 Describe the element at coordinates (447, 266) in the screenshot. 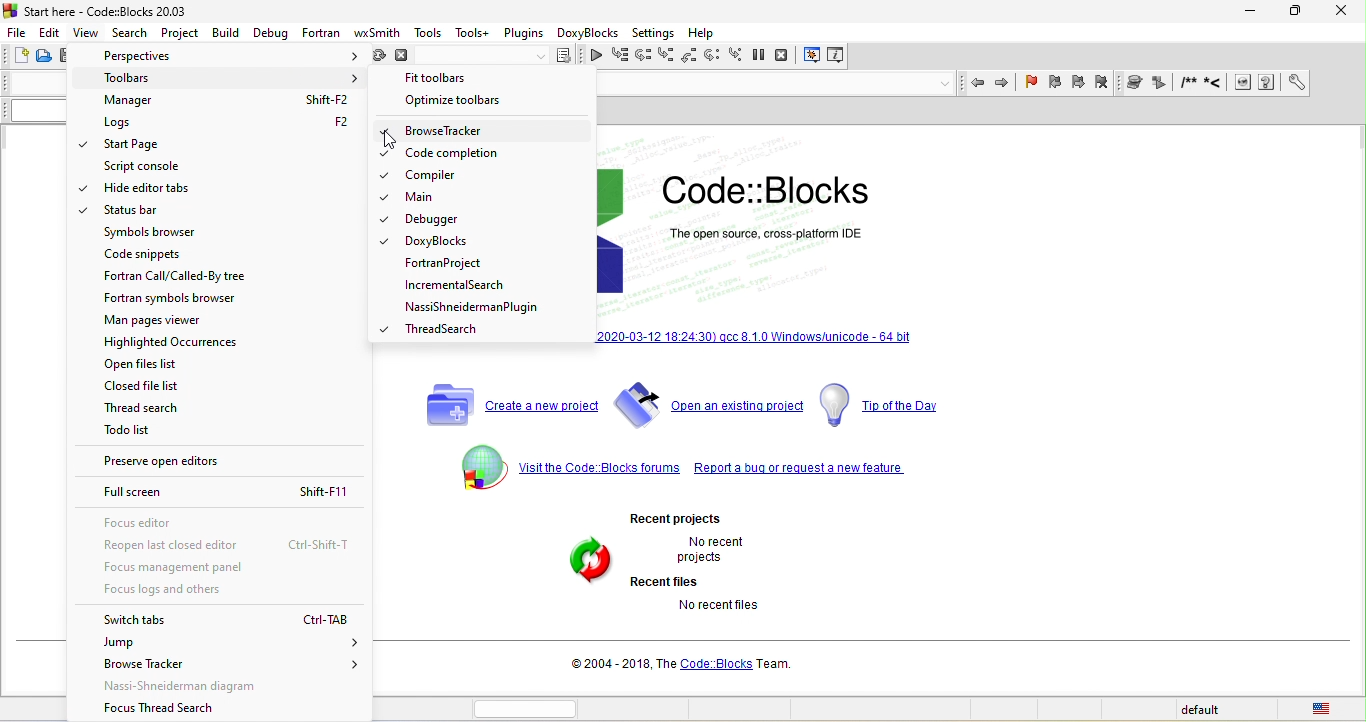

I see `fortran project` at that location.